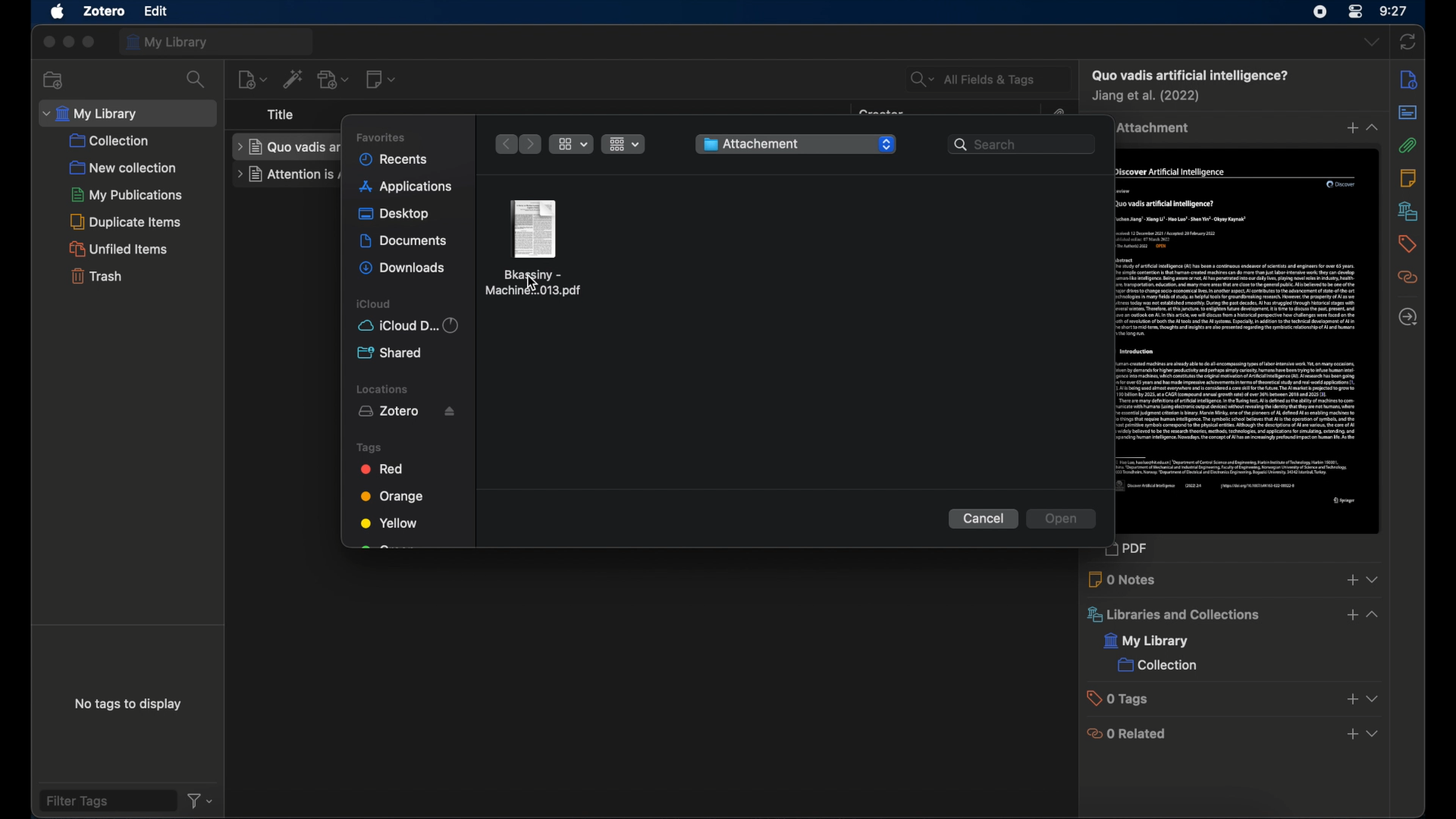 The image size is (1456, 819). What do you see at coordinates (1408, 177) in the screenshot?
I see `notes` at bounding box center [1408, 177].